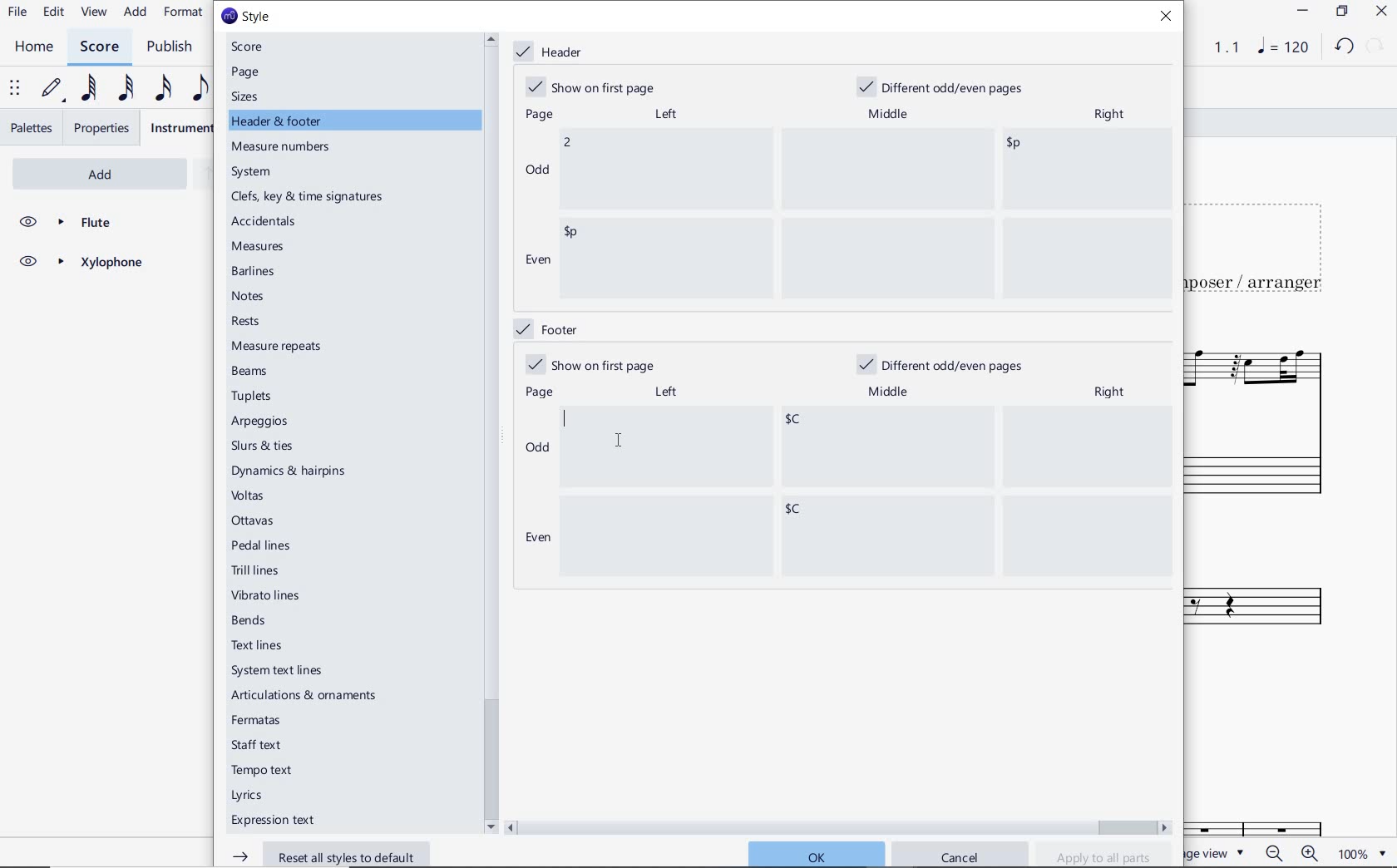 This screenshot has width=1397, height=868. Describe the element at coordinates (1380, 11) in the screenshot. I see `CLOSE` at that location.